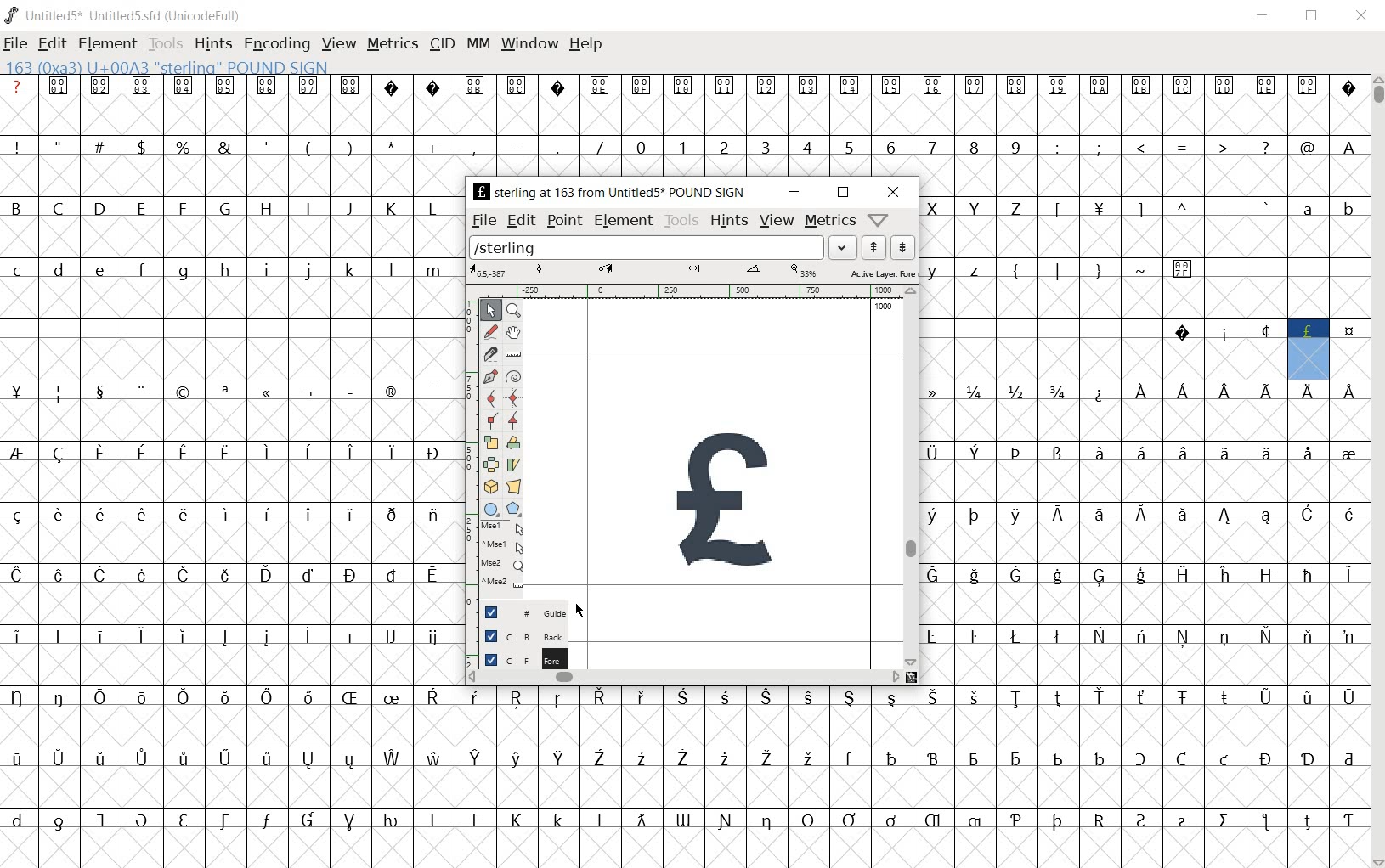 This screenshot has width=1385, height=868. I want to click on Symbol, so click(558, 759).